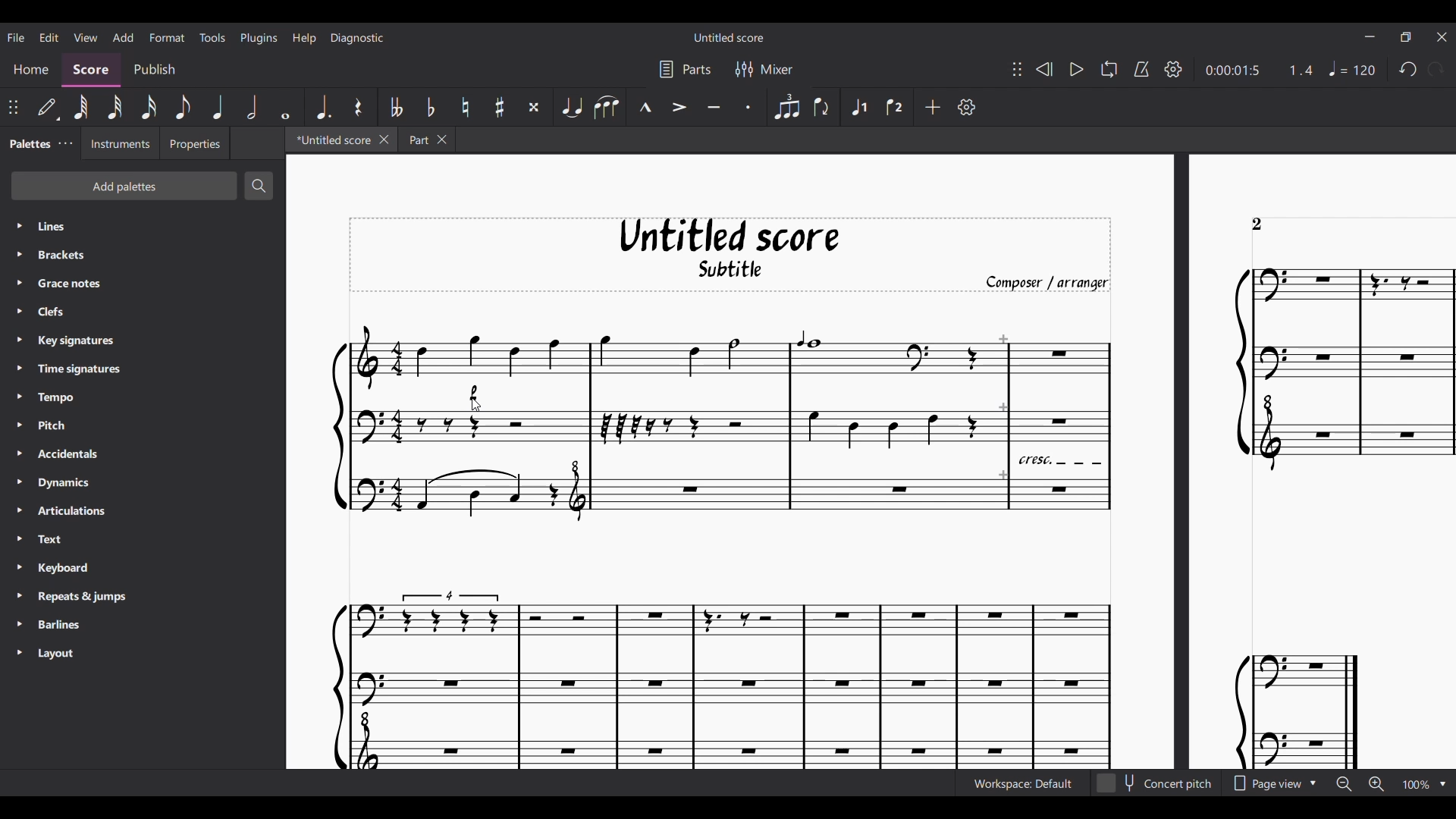  What do you see at coordinates (259, 186) in the screenshot?
I see `Search palette` at bounding box center [259, 186].